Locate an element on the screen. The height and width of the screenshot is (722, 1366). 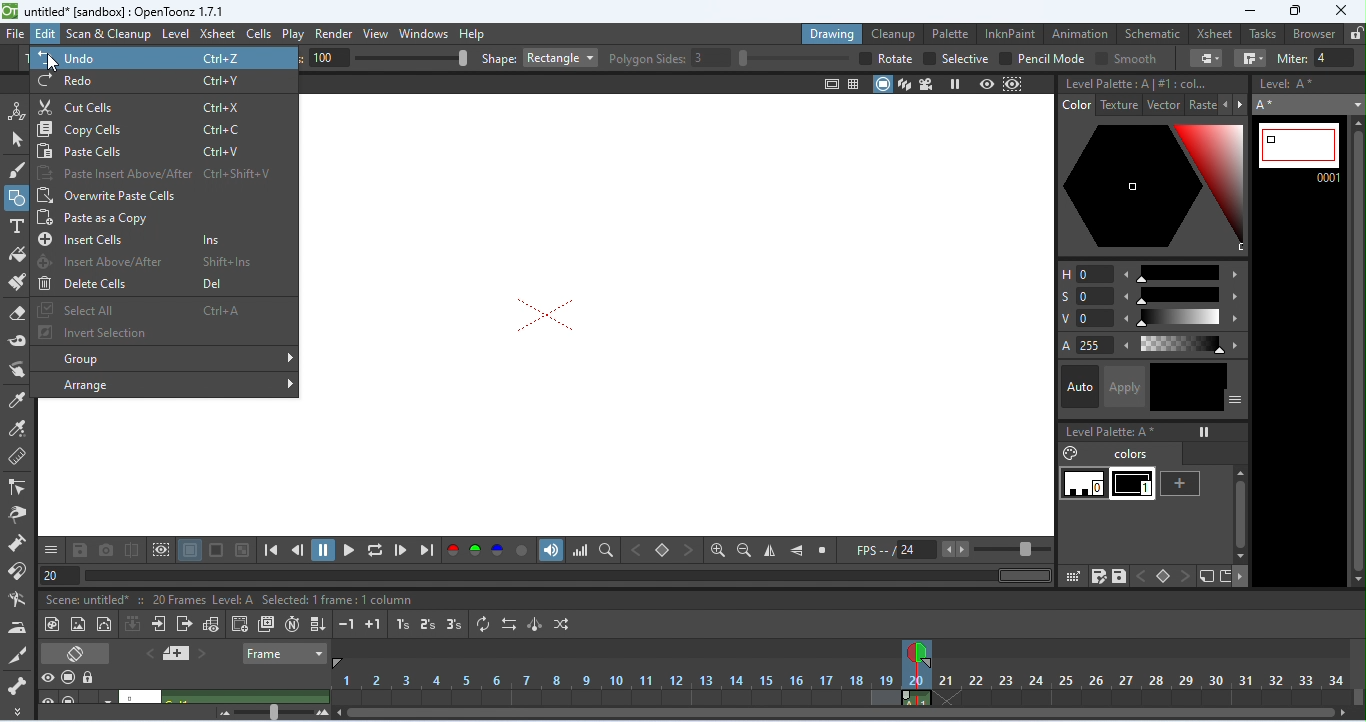
flip vertically is located at coordinates (796, 551).